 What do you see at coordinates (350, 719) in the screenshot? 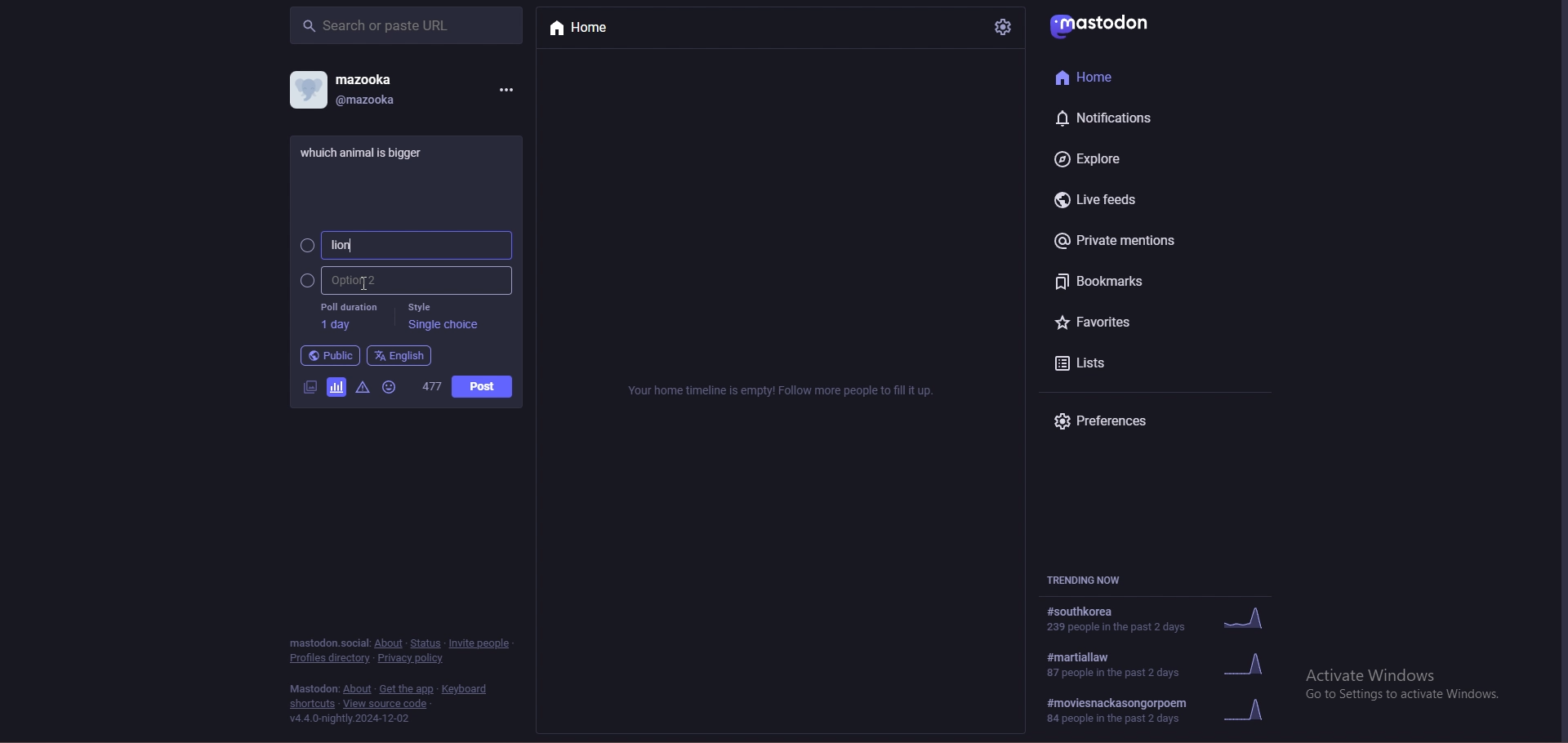
I see `v4.4.0-nightly.2024-12-02` at bounding box center [350, 719].